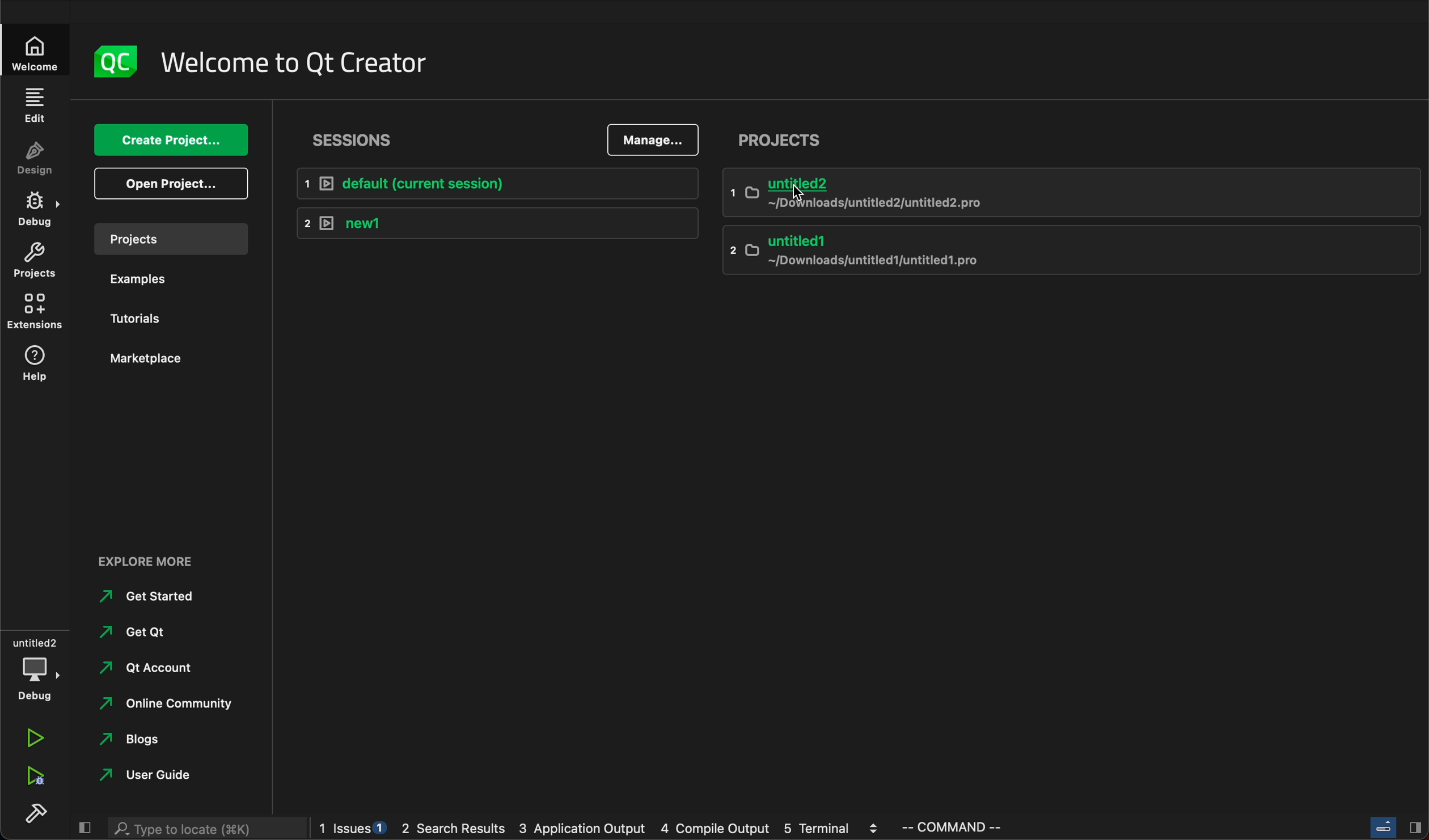 The height and width of the screenshot is (840, 1429). I want to click on debug, so click(38, 207).